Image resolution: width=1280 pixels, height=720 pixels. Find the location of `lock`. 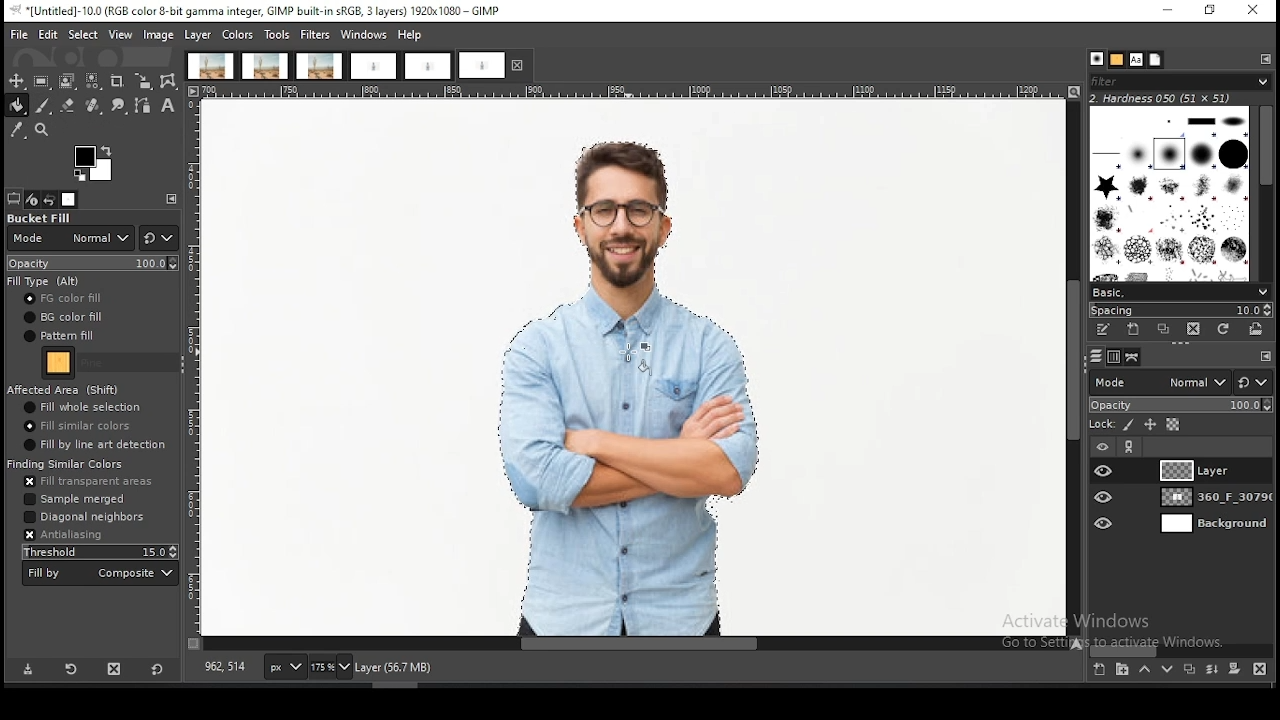

lock is located at coordinates (1100, 425).